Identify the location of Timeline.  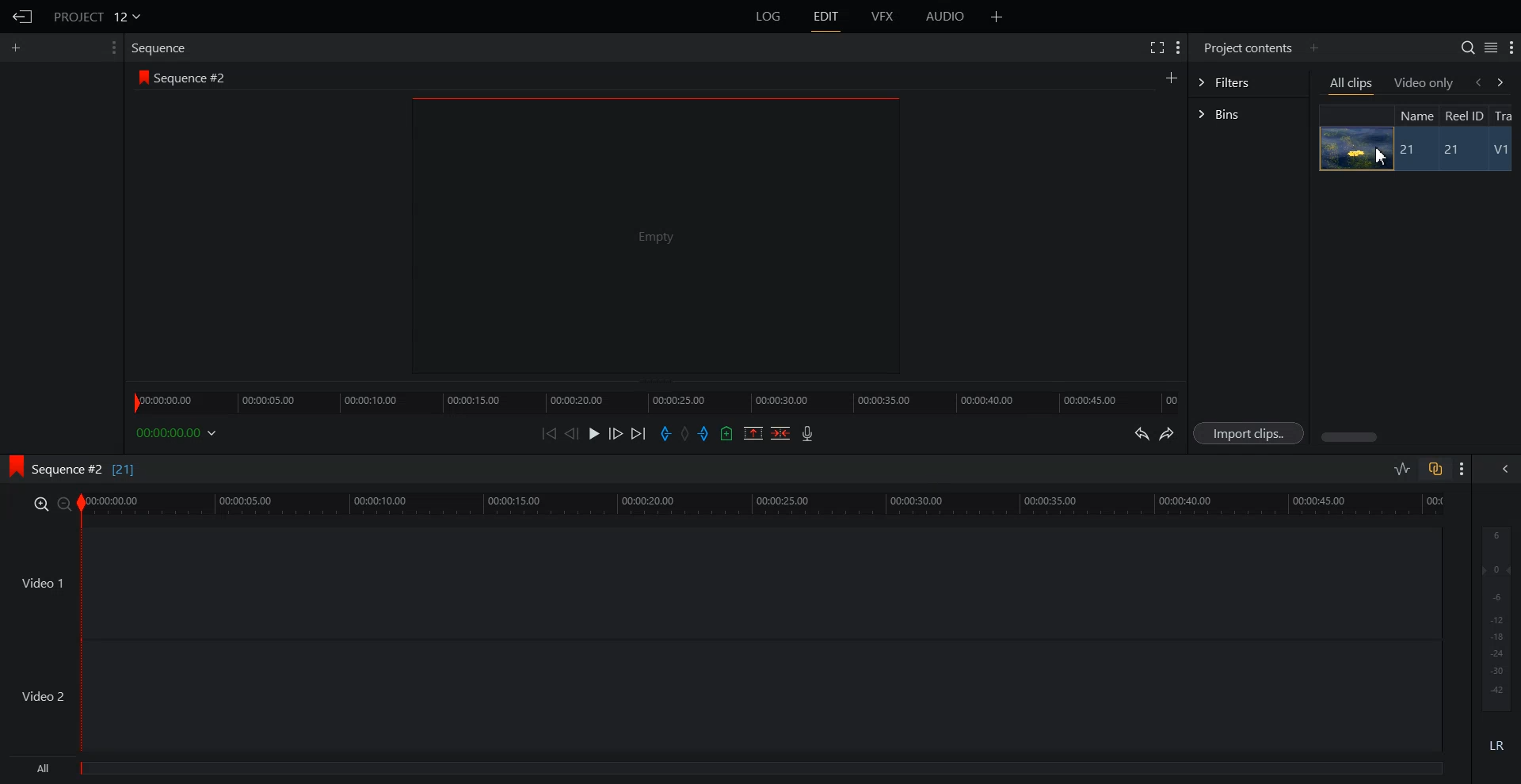
(655, 398).